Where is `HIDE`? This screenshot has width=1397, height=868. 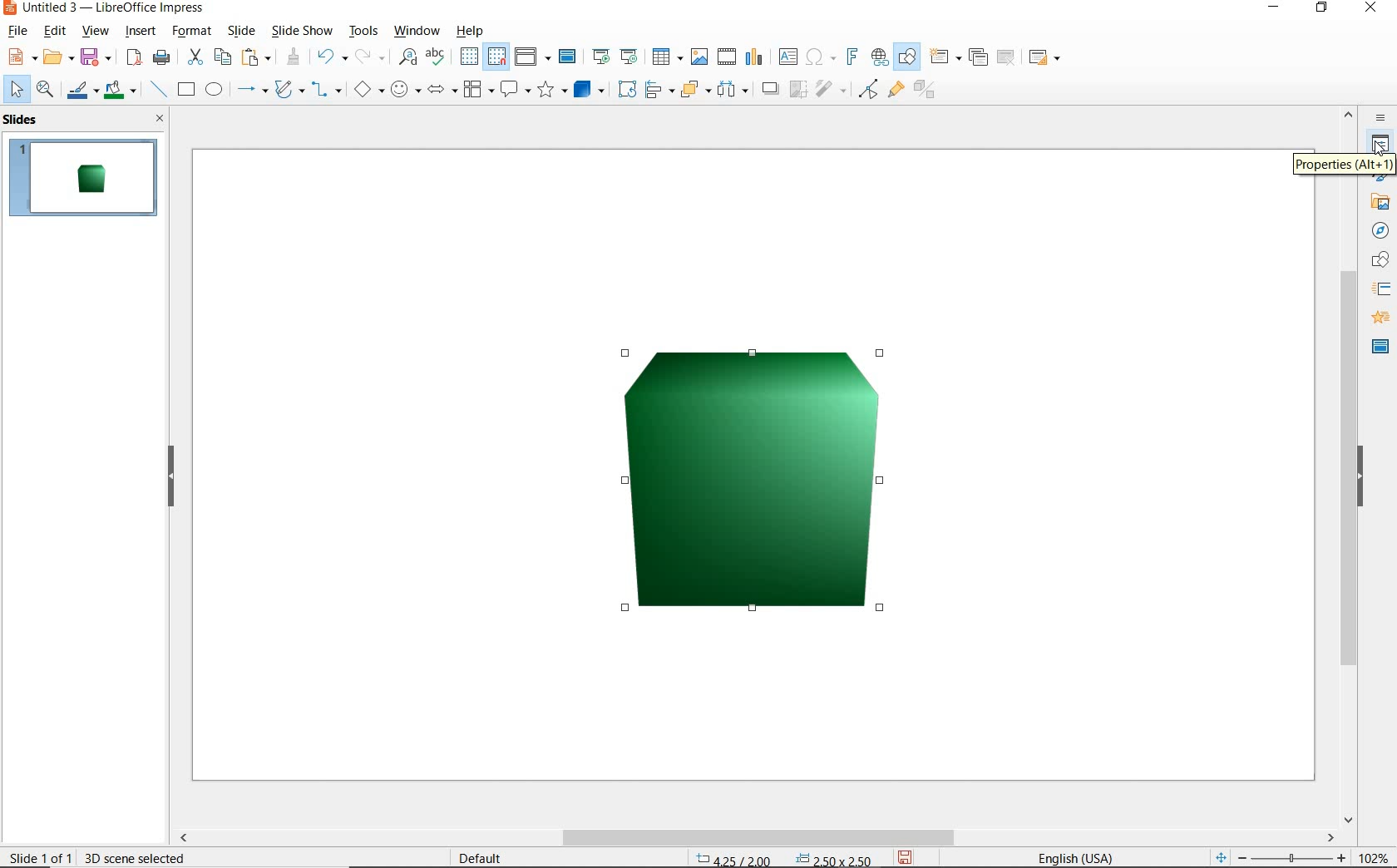 HIDE is located at coordinates (1373, 479).